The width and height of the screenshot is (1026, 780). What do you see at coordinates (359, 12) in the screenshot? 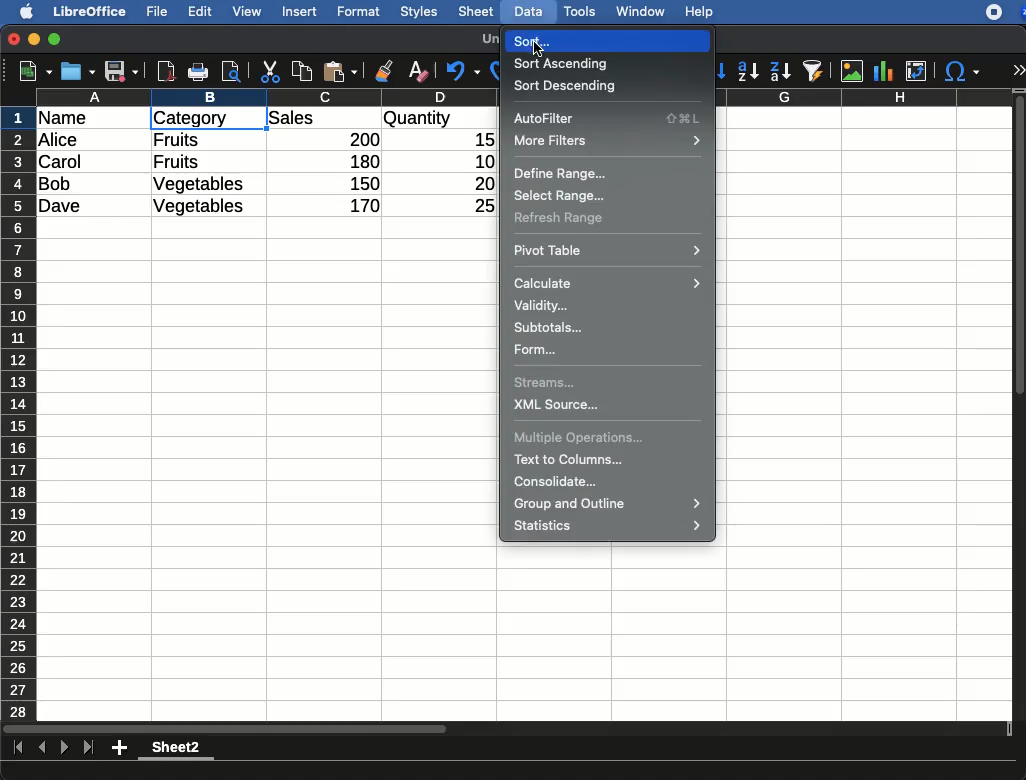
I see `format` at bounding box center [359, 12].